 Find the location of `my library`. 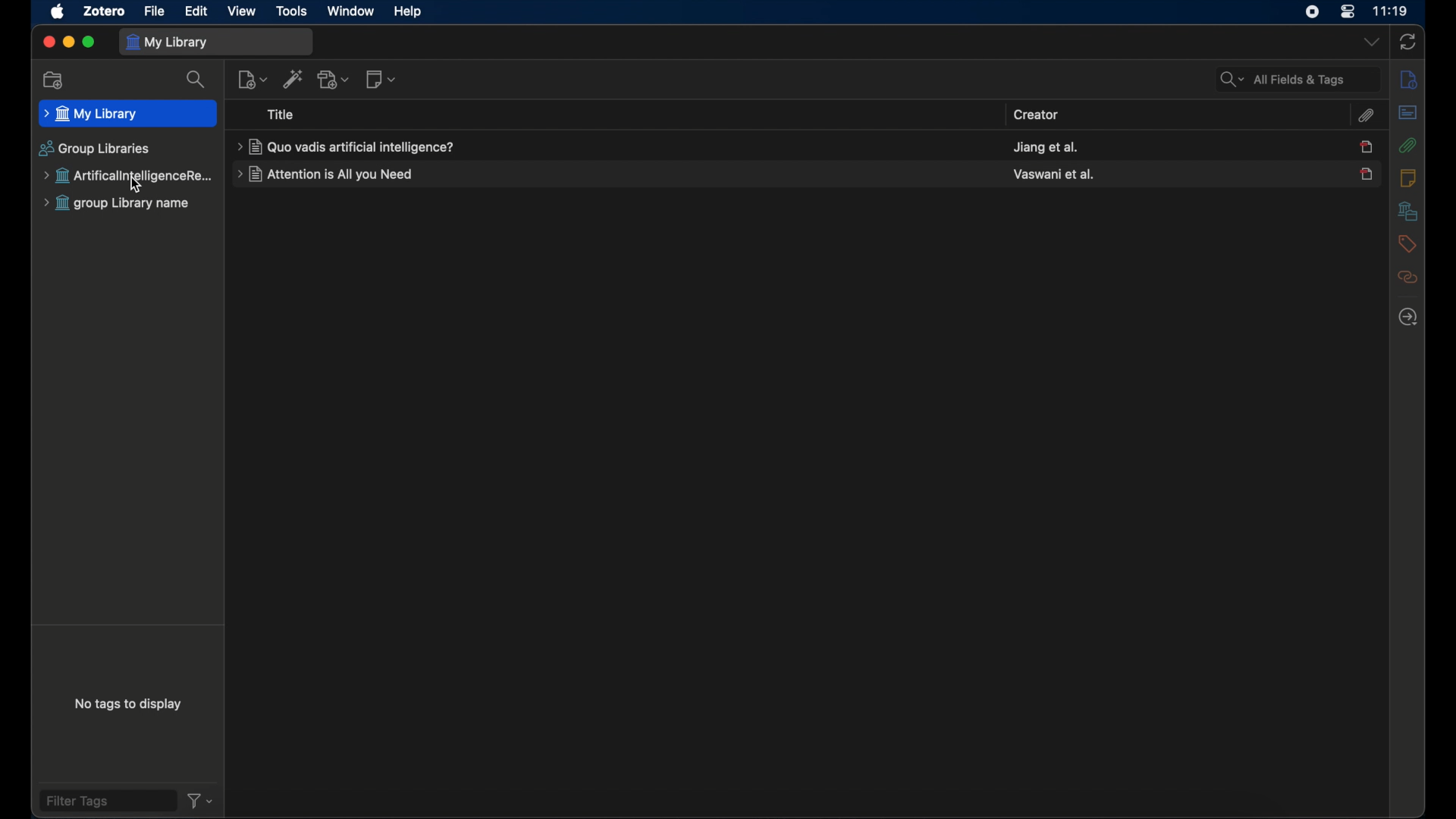

my library is located at coordinates (128, 114).